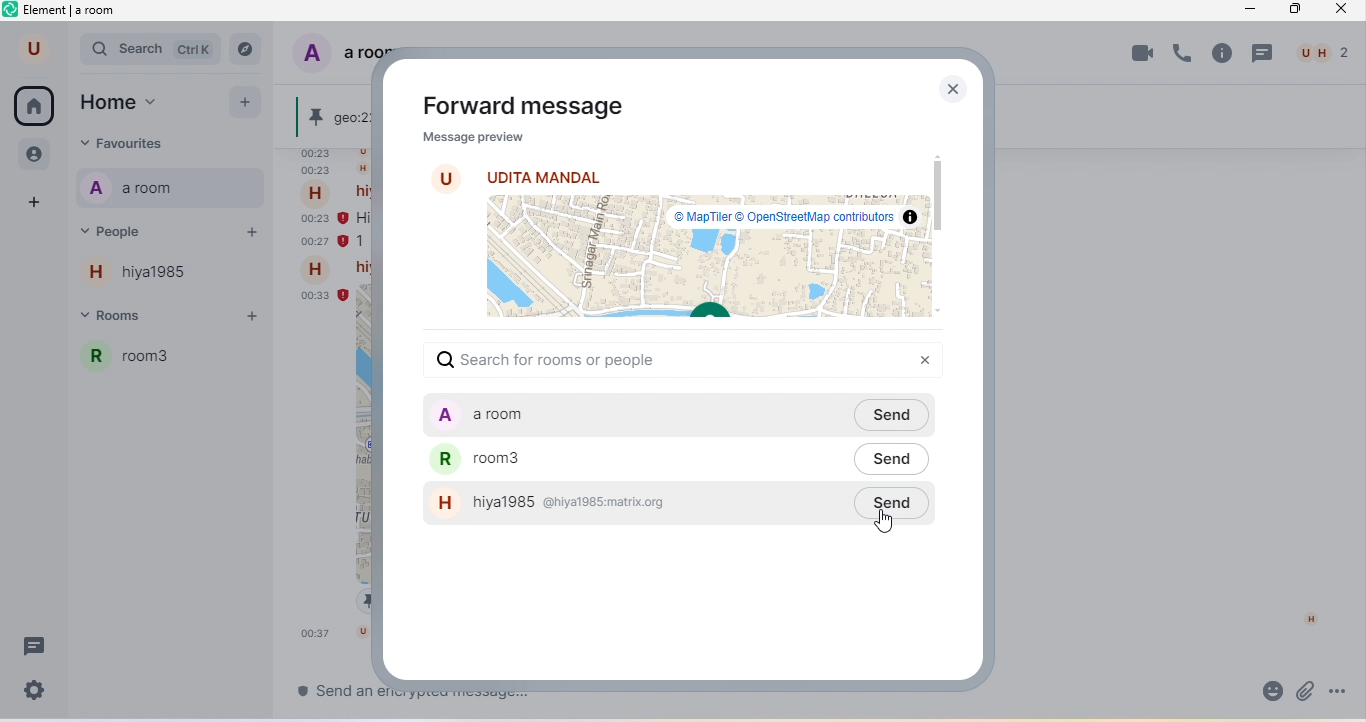 This screenshot has height=722, width=1366. What do you see at coordinates (925, 360) in the screenshot?
I see `close` at bounding box center [925, 360].